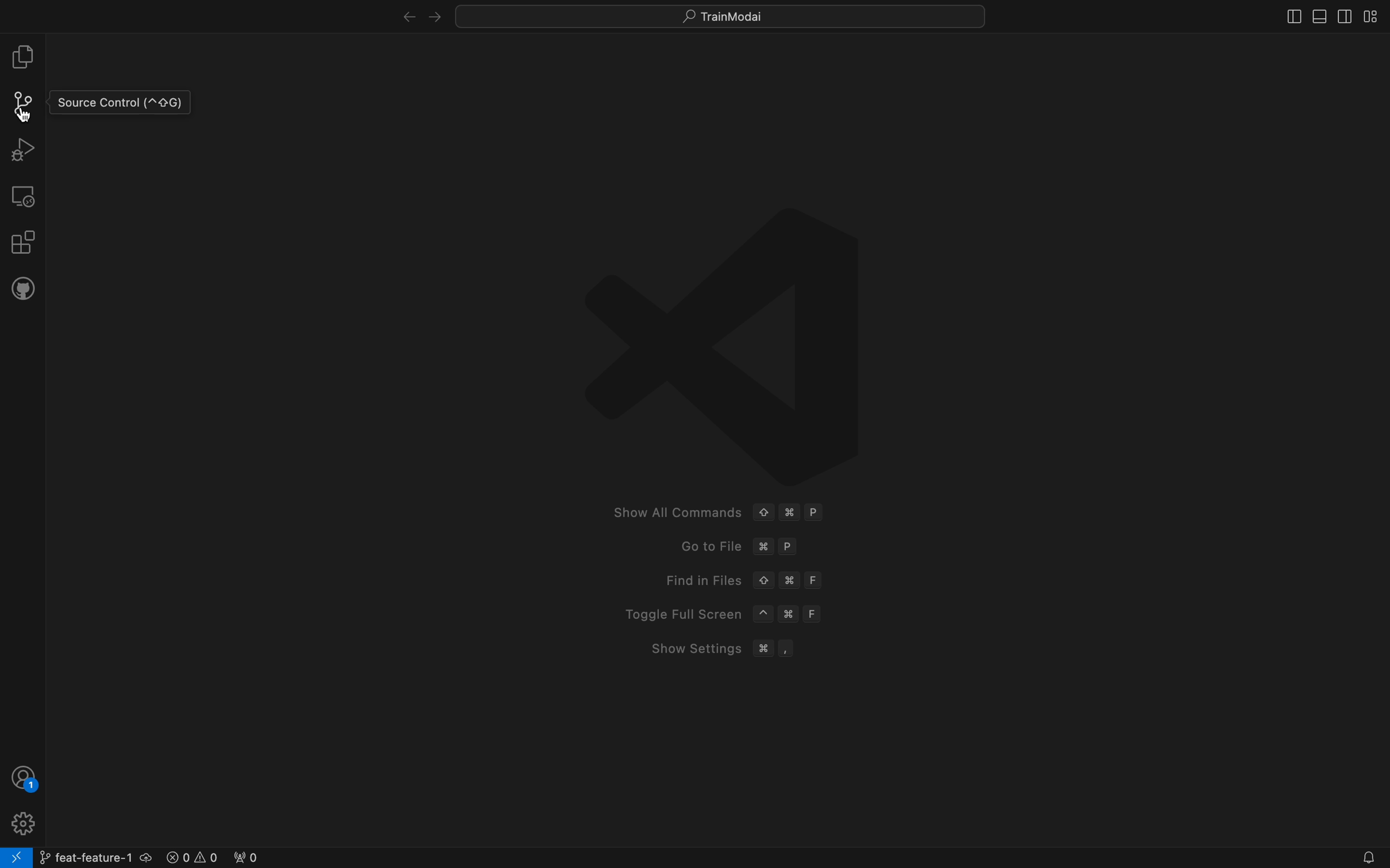 The width and height of the screenshot is (1390, 868). I want to click on F, so click(816, 580).